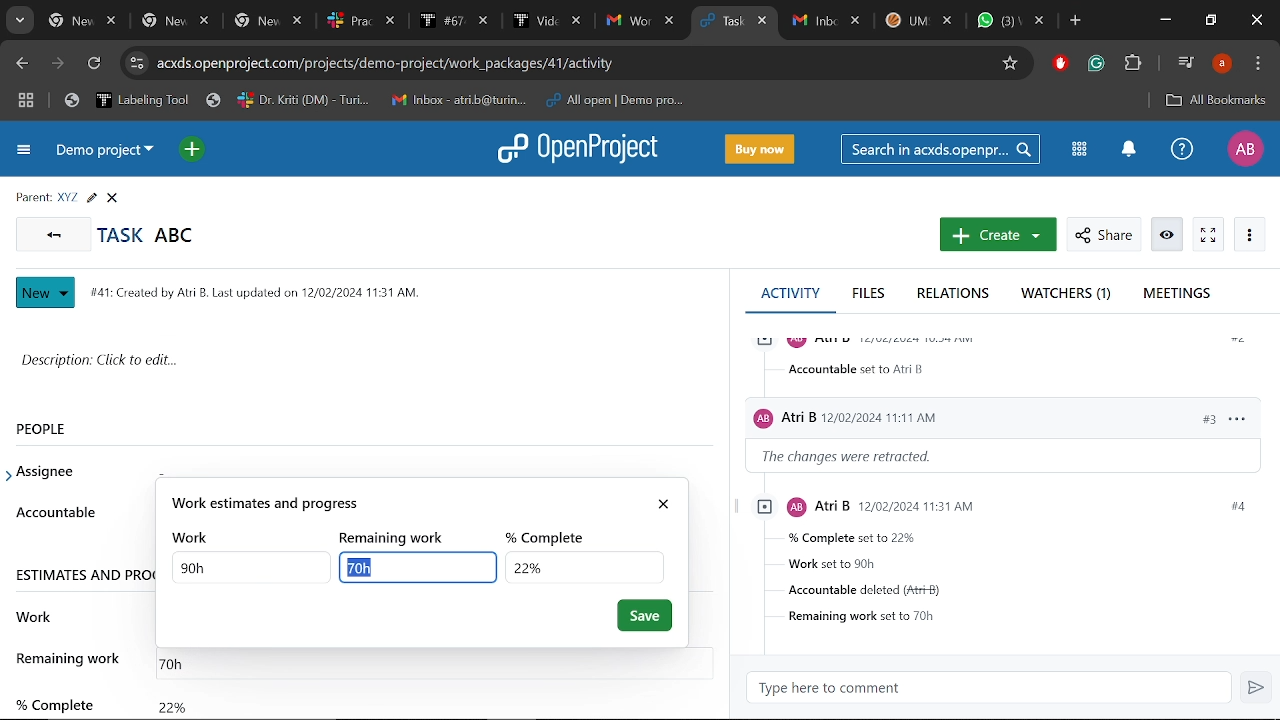  I want to click on Add new tab, so click(1075, 22).